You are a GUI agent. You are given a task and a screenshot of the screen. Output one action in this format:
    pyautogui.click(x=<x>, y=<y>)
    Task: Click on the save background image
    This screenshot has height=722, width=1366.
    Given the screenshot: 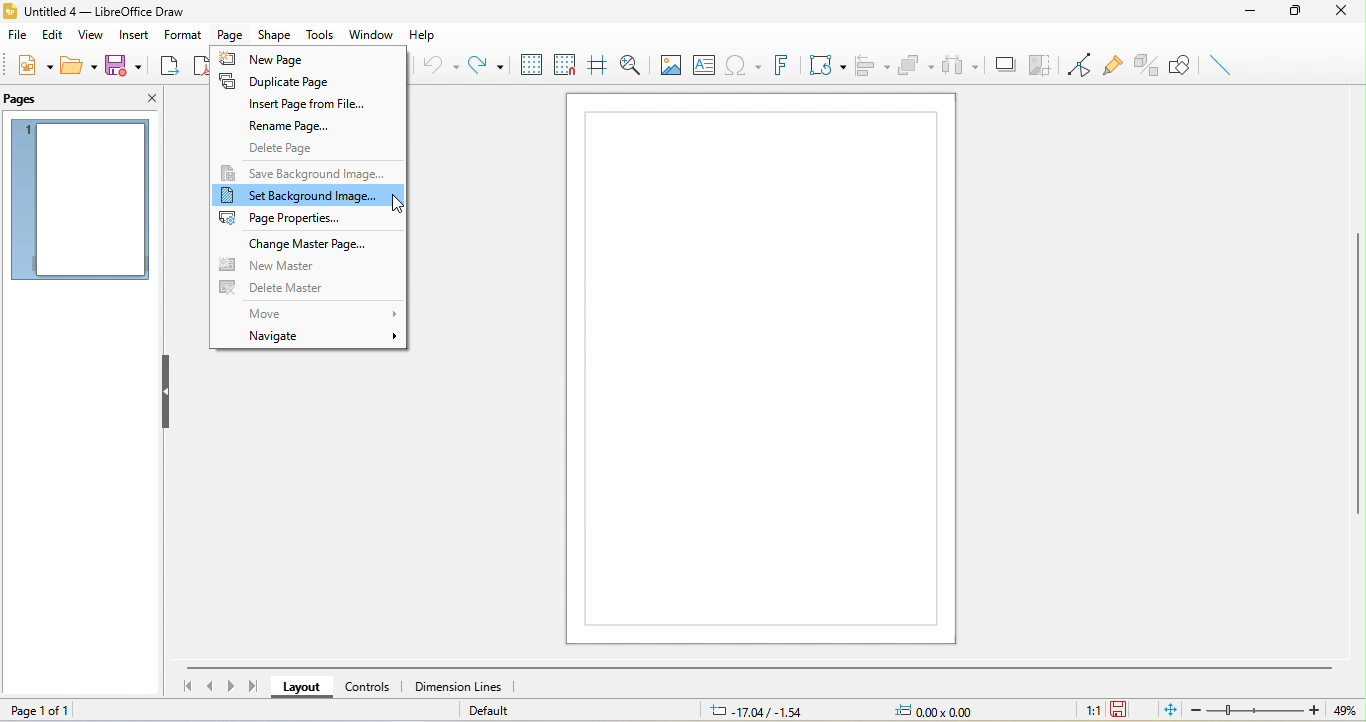 What is the action you would take?
    pyautogui.click(x=304, y=170)
    